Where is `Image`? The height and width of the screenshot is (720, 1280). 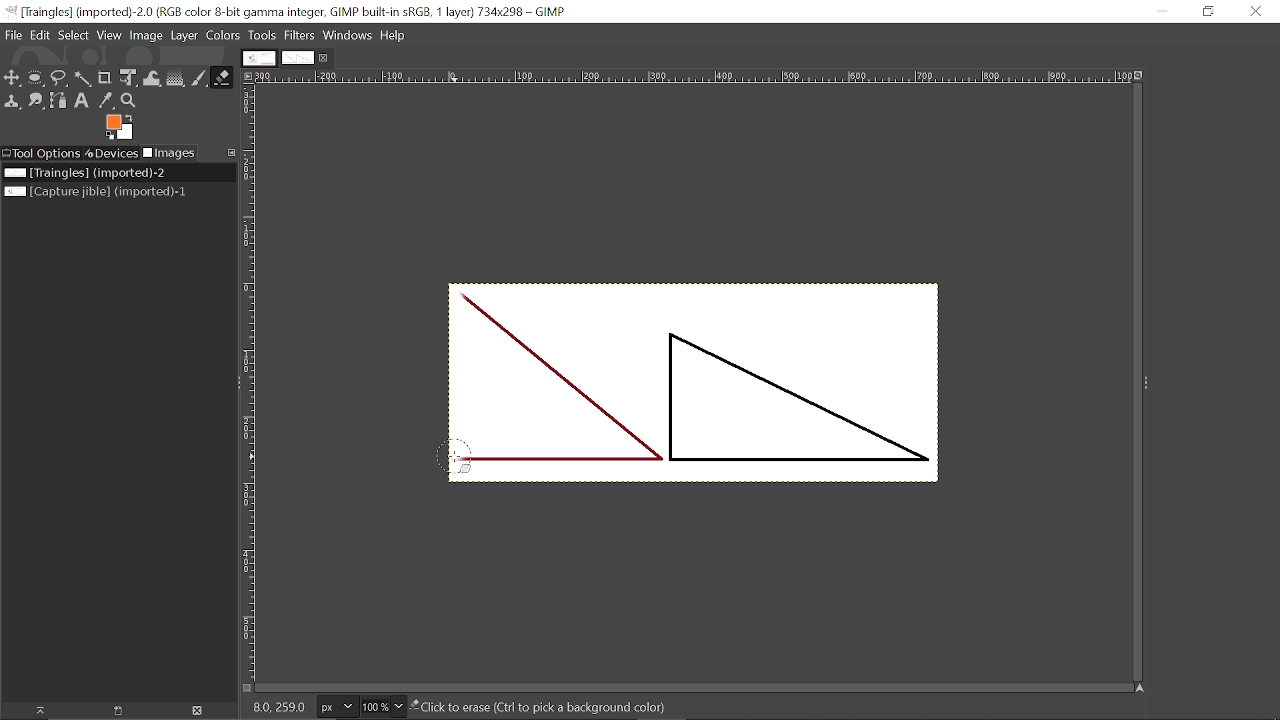 Image is located at coordinates (145, 35).